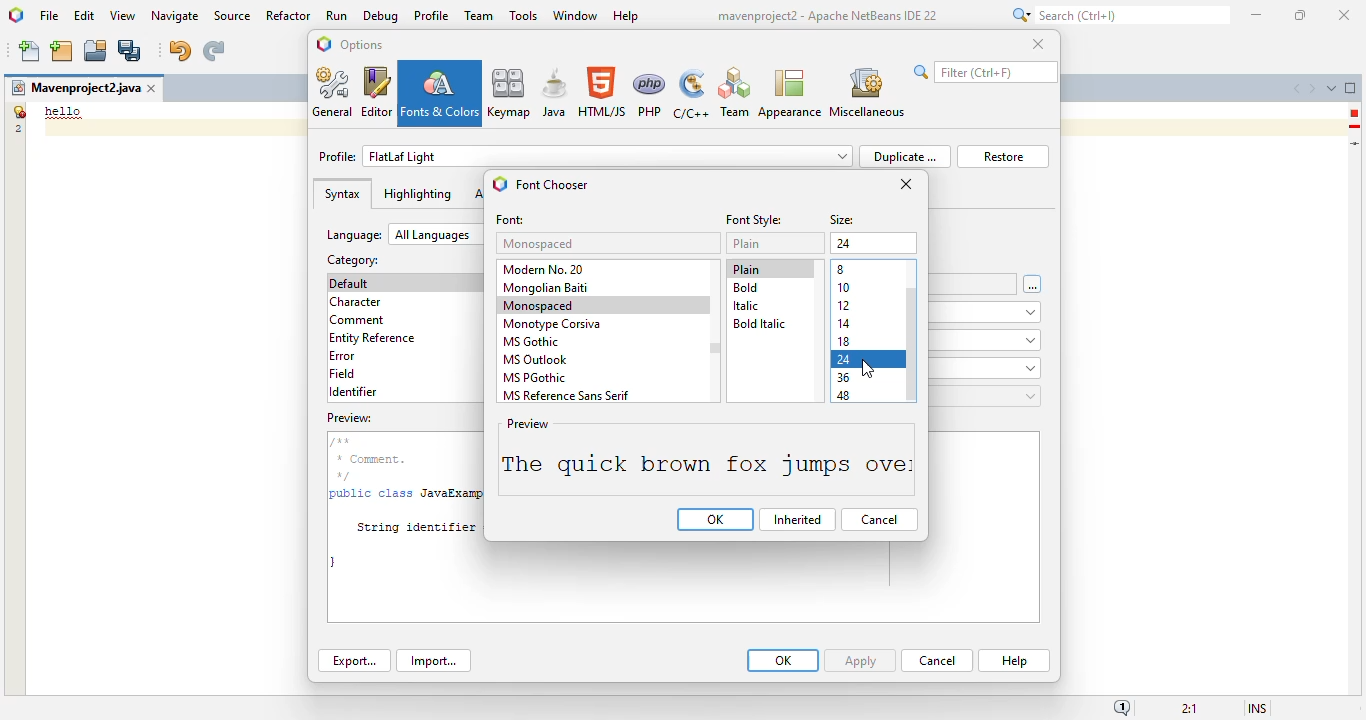  Describe the element at coordinates (1355, 127) in the screenshot. I see `hint` at that location.